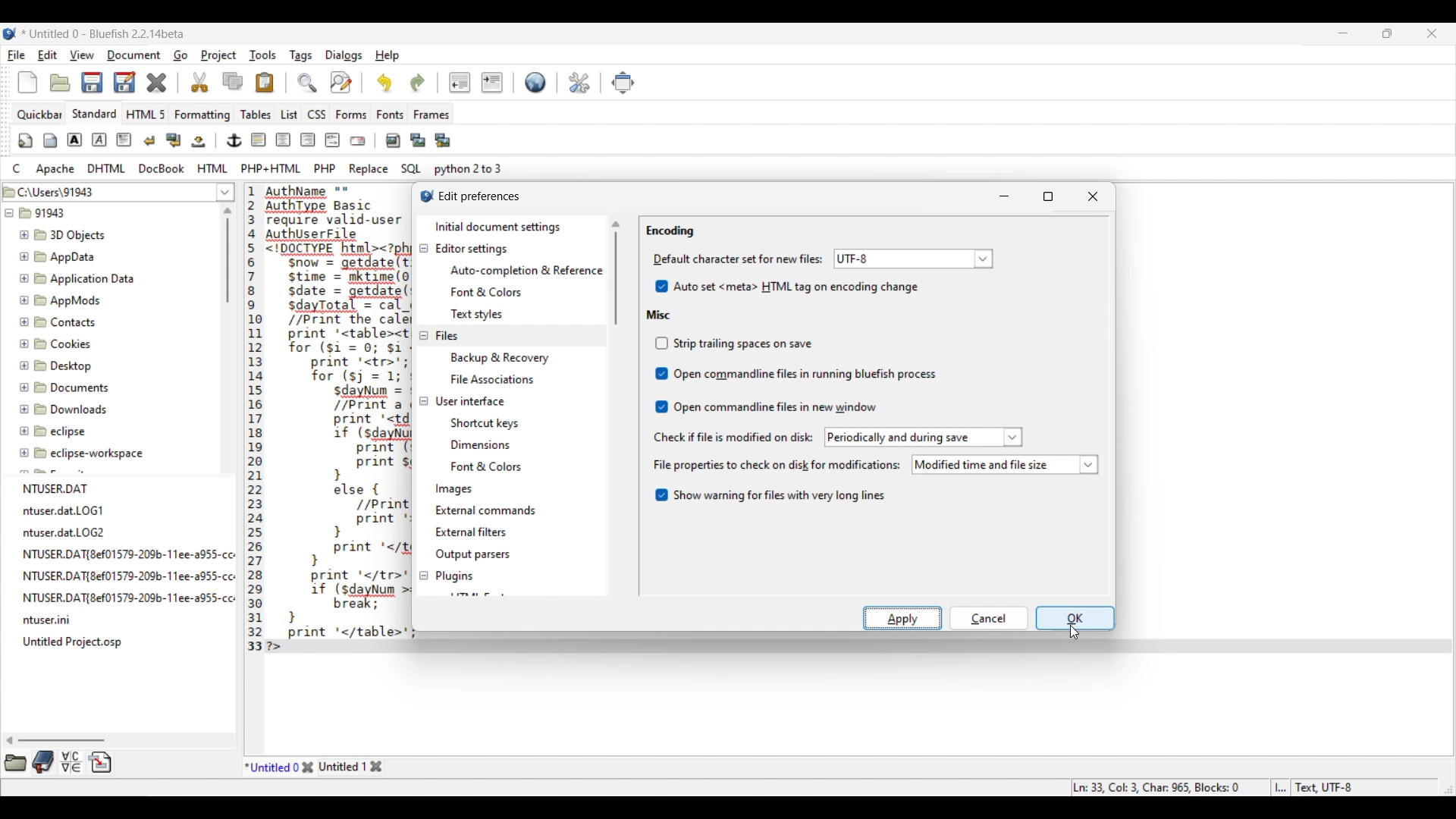 This screenshot has width=1456, height=819. I want to click on Formatting menu, so click(202, 115).